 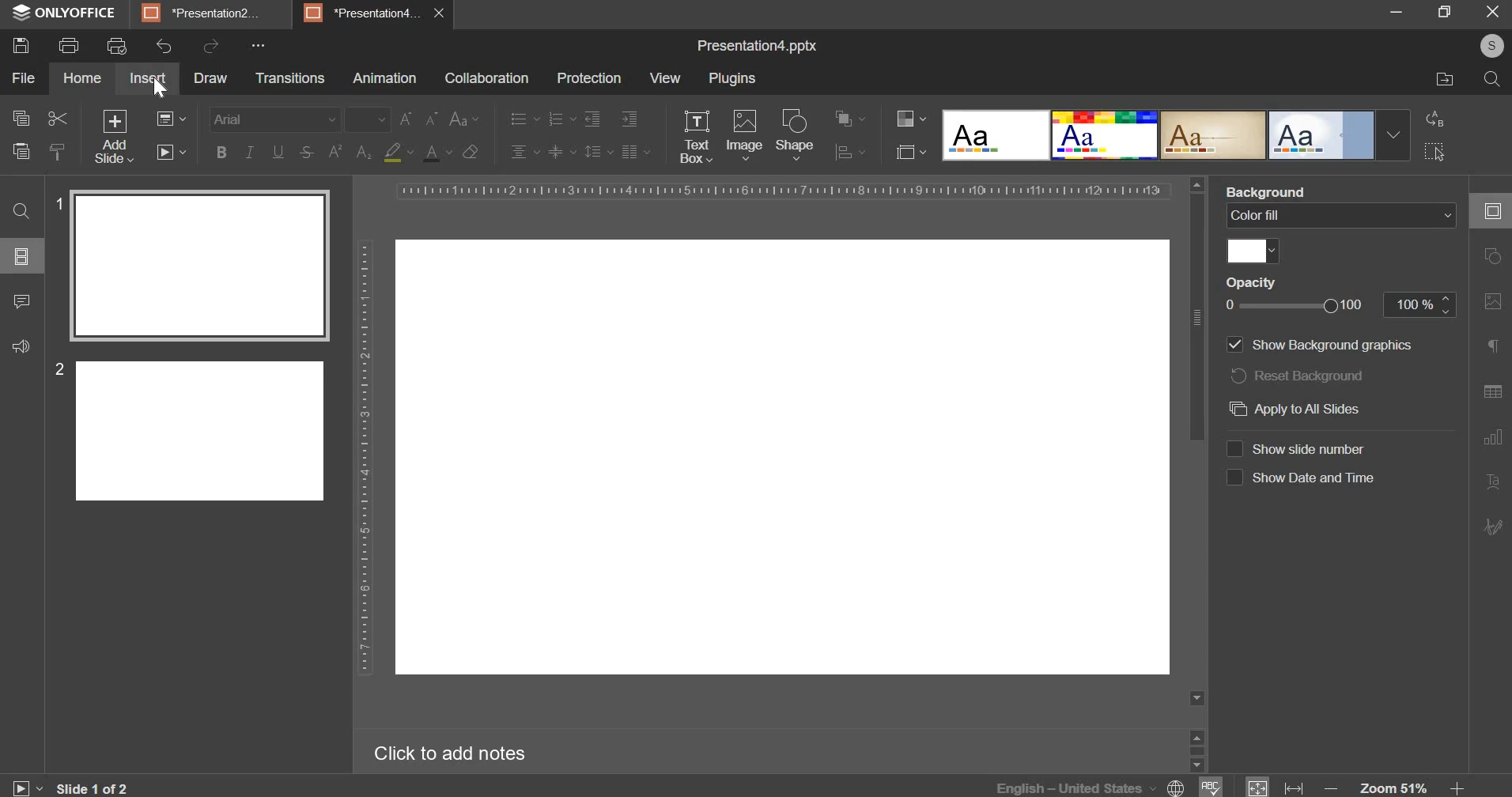 I want to click on s, so click(x=1495, y=46).